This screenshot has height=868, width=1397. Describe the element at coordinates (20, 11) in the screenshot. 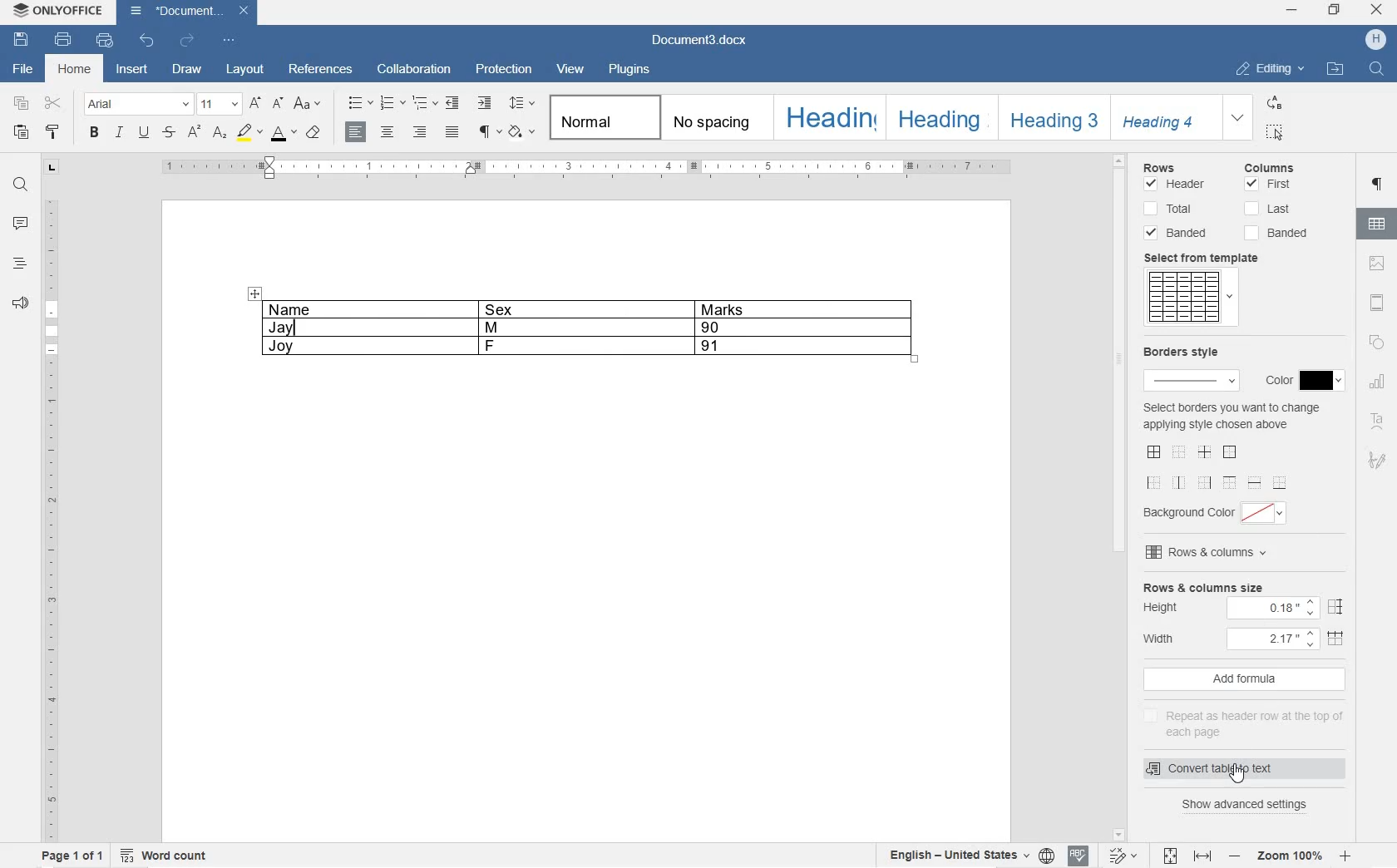

I see `system logo` at that location.